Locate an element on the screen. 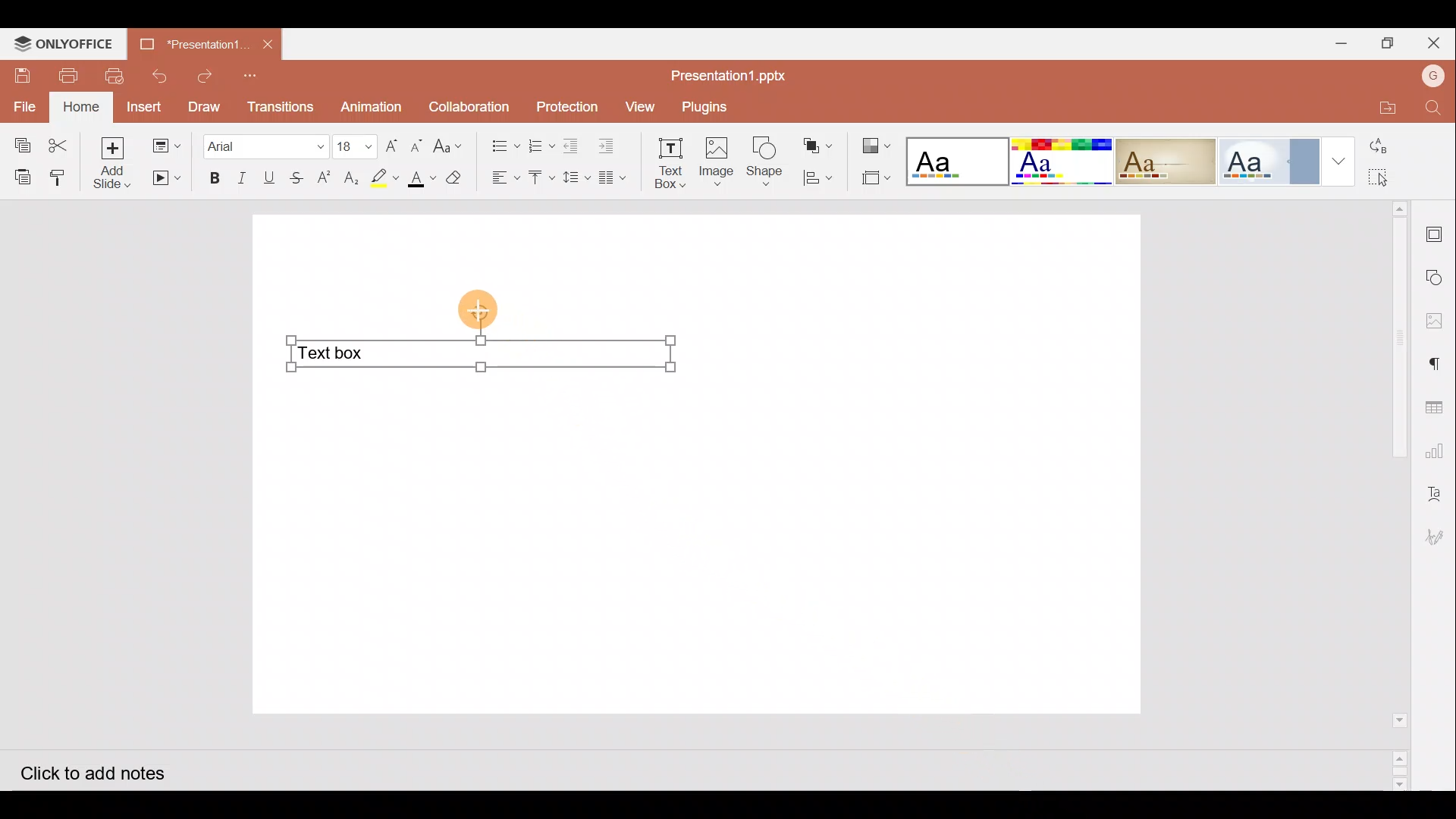 Image resolution: width=1456 pixels, height=819 pixels. Font color is located at coordinates (419, 179).